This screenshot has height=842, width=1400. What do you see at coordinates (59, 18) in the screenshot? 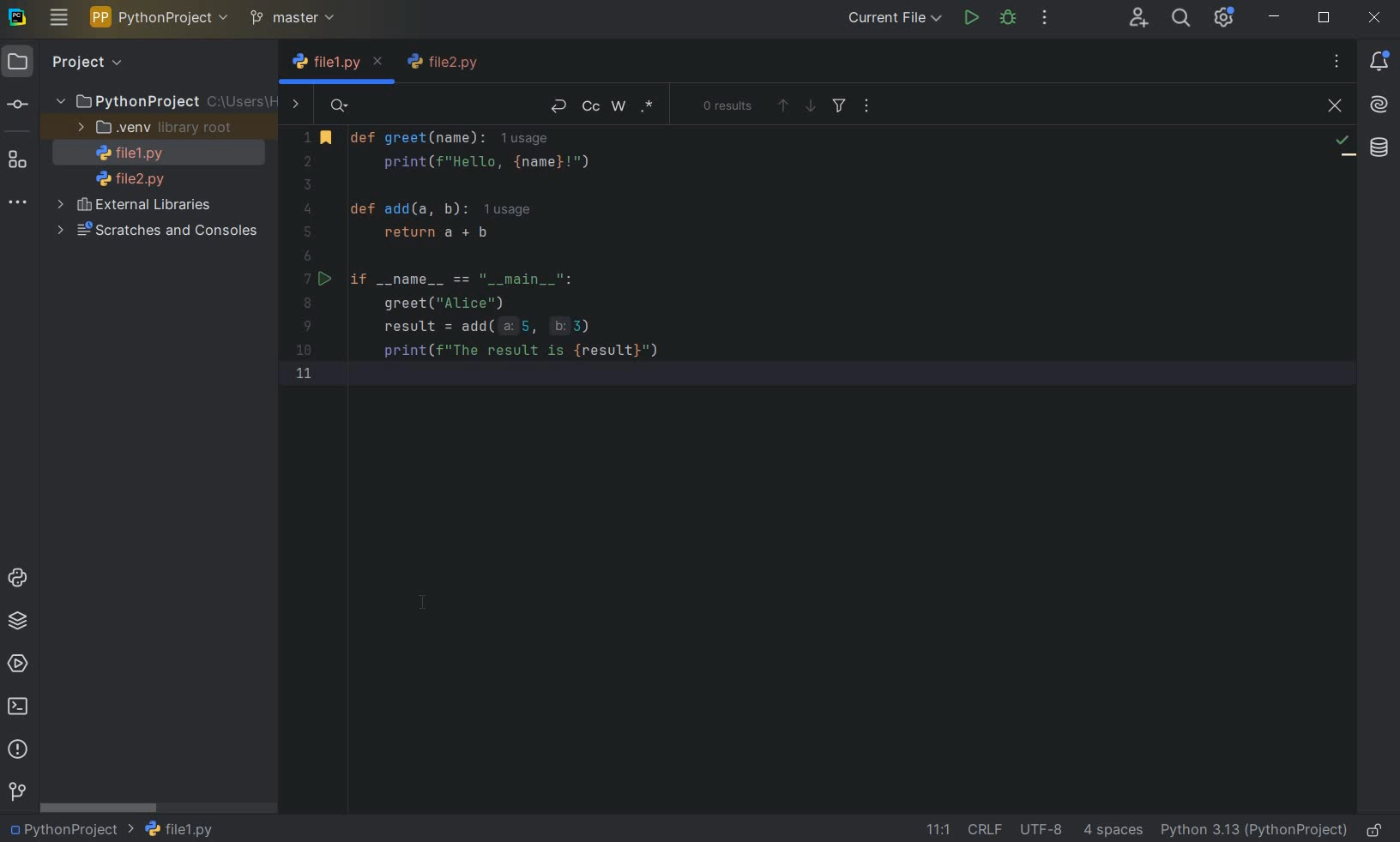
I see `MAIN MENU` at bounding box center [59, 18].